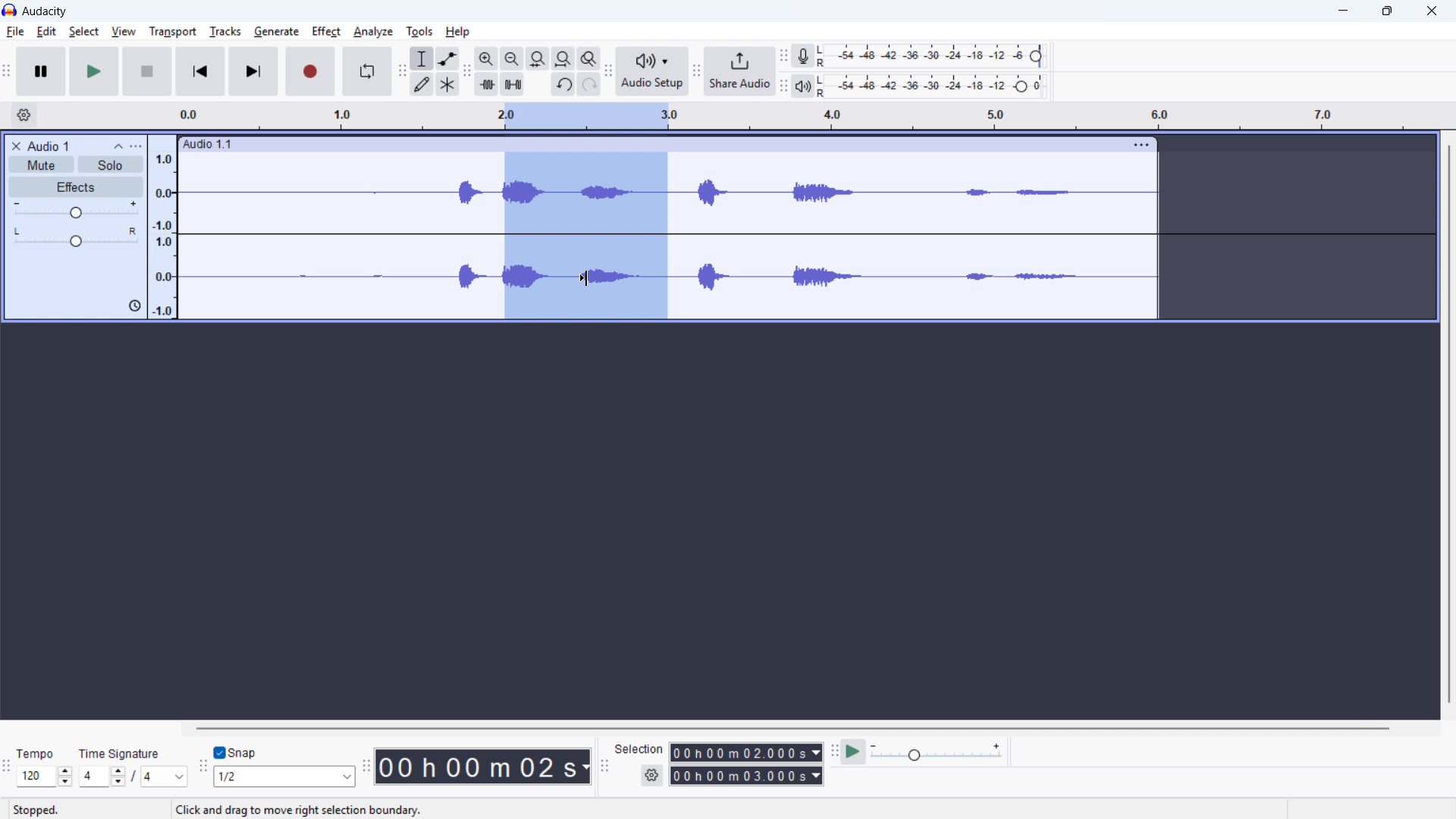 This screenshot has width=1456, height=819. What do you see at coordinates (16, 146) in the screenshot?
I see `Remove track` at bounding box center [16, 146].